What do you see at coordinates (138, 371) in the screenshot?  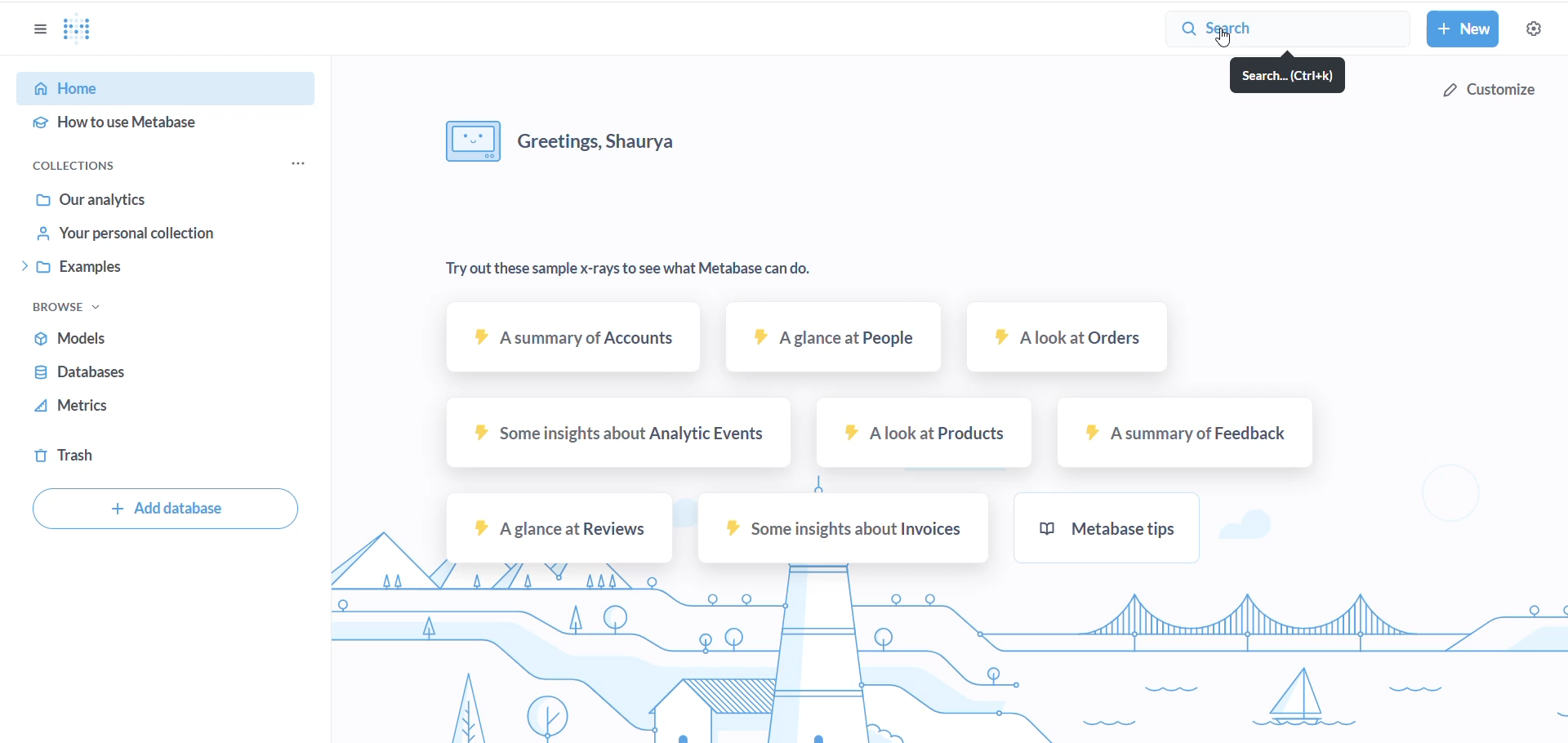 I see `databases` at bounding box center [138, 371].